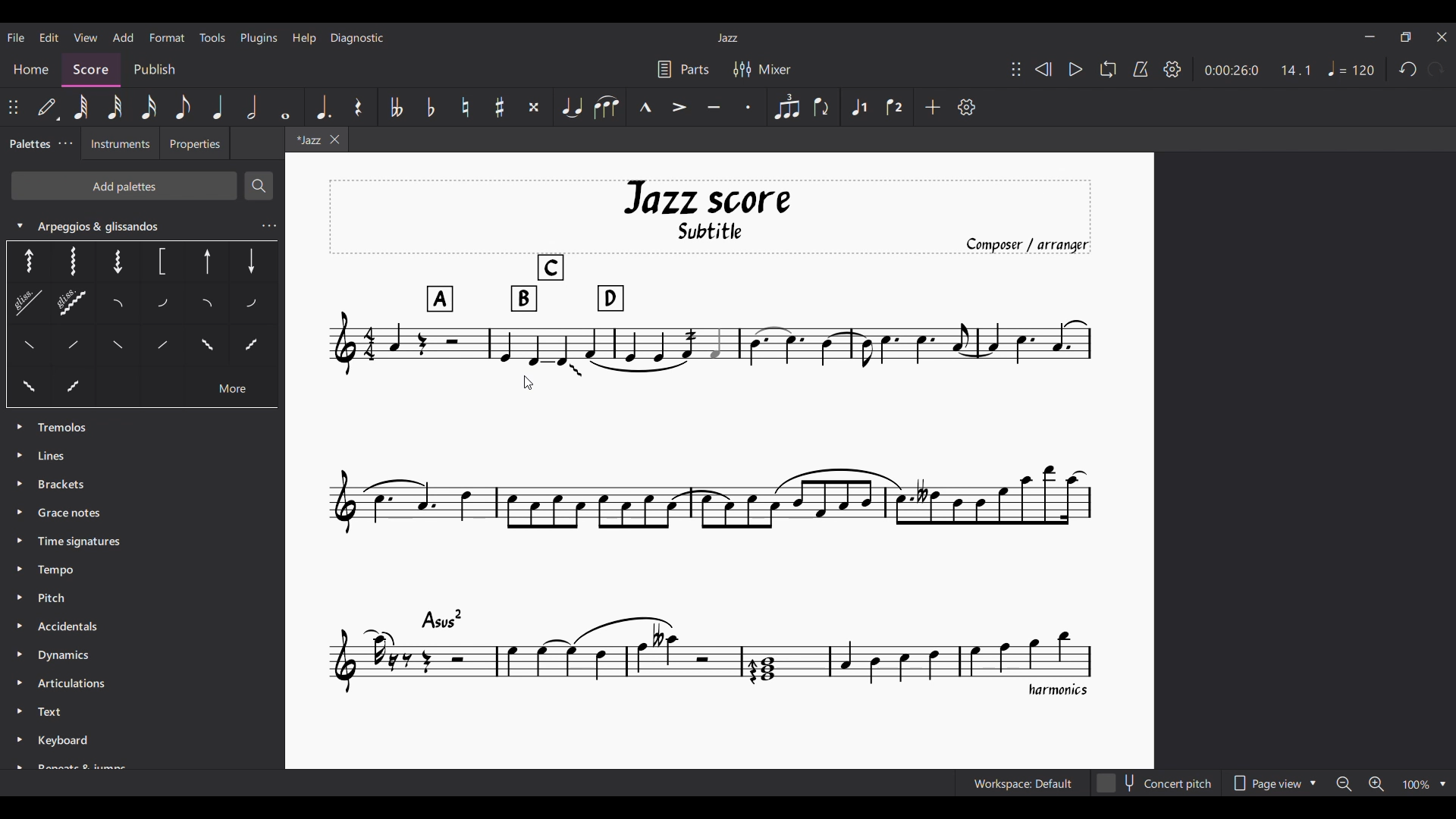 Image resolution: width=1456 pixels, height=819 pixels. I want to click on Undo, so click(1408, 69).